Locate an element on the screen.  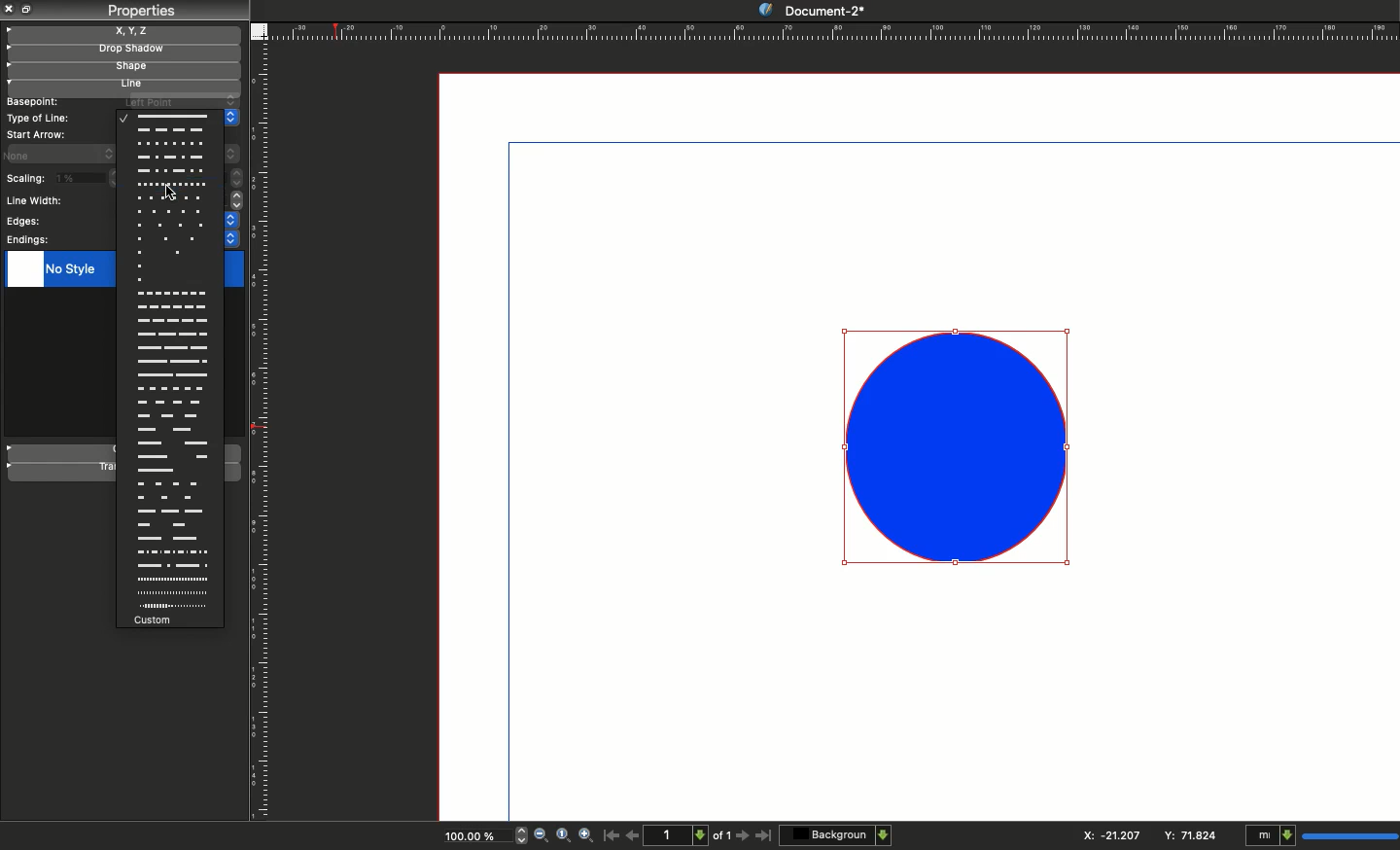
X, y, z is located at coordinates (123, 31).